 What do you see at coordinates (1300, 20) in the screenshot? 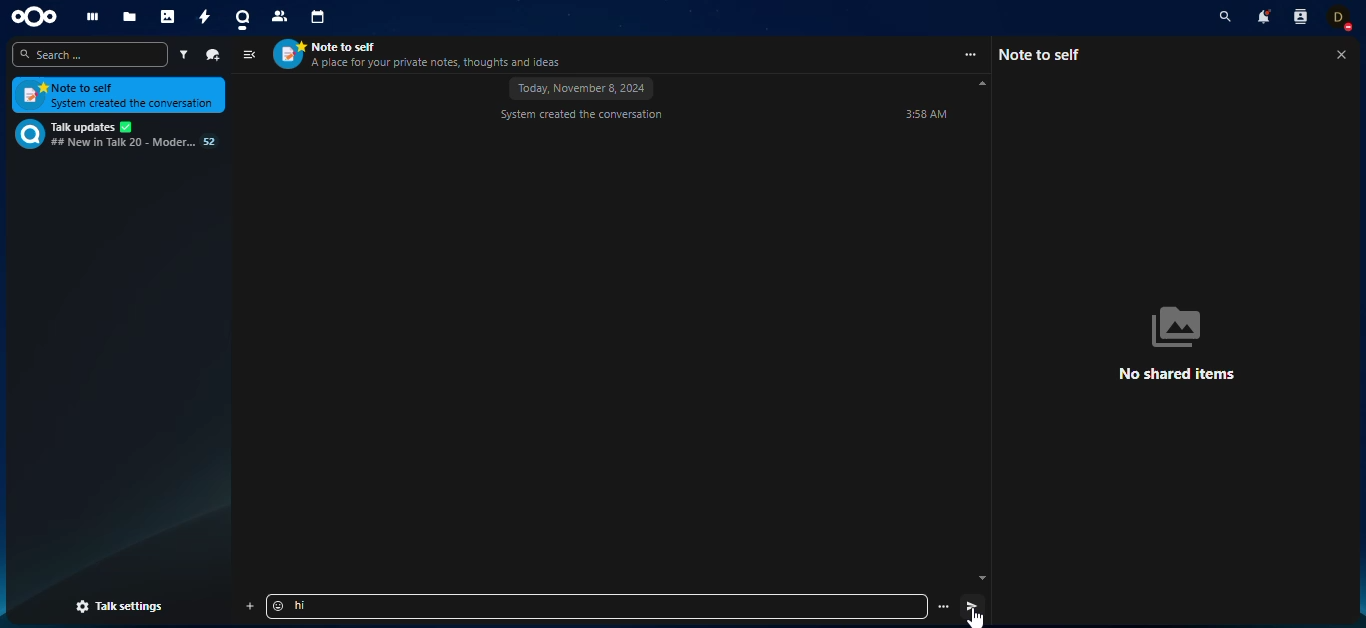
I see `contact` at bounding box center [1300, 20].